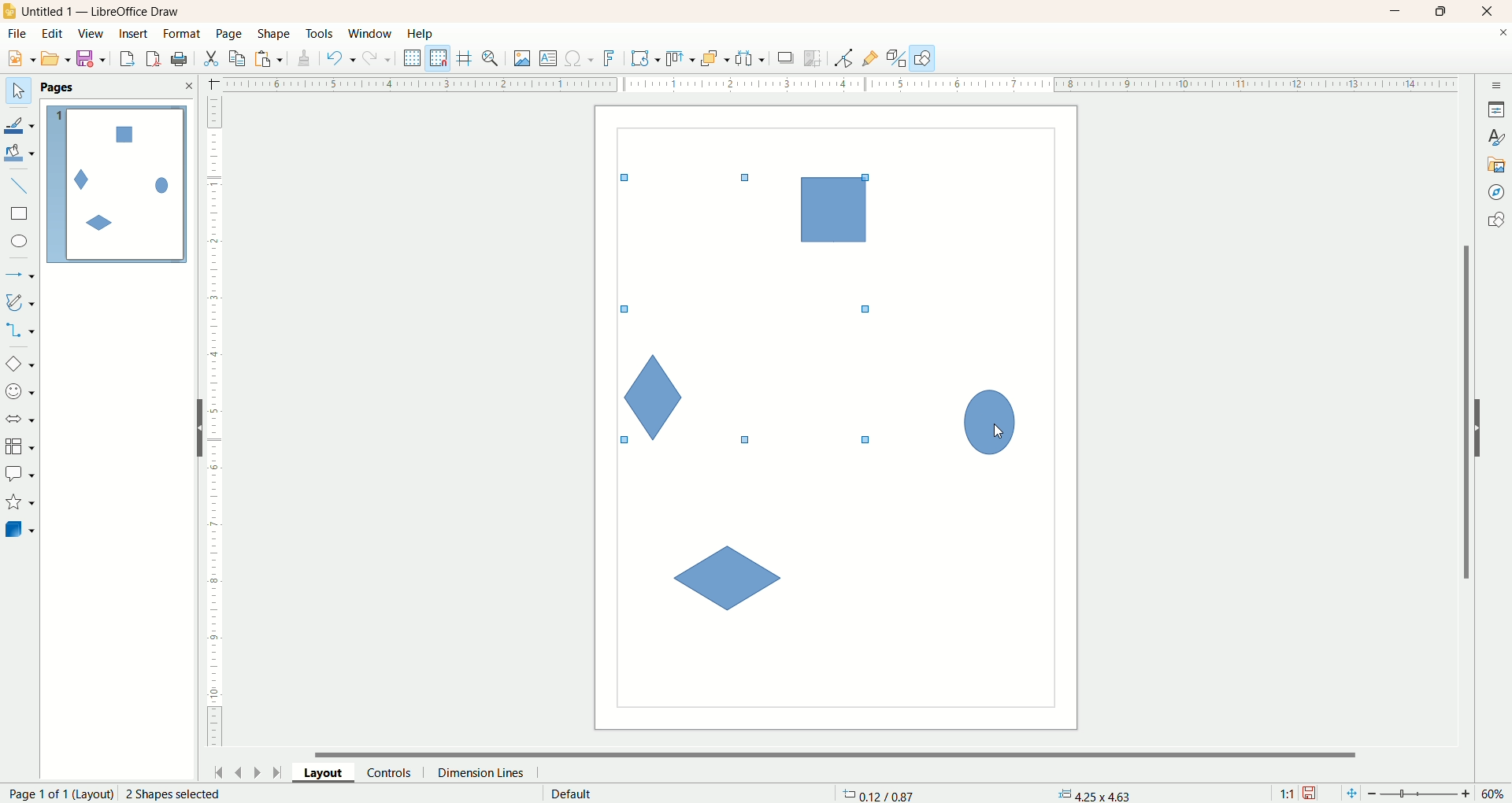  Describe the element at coordinates (1287, 794) in the screenshot. I see `scale factor` at that location.